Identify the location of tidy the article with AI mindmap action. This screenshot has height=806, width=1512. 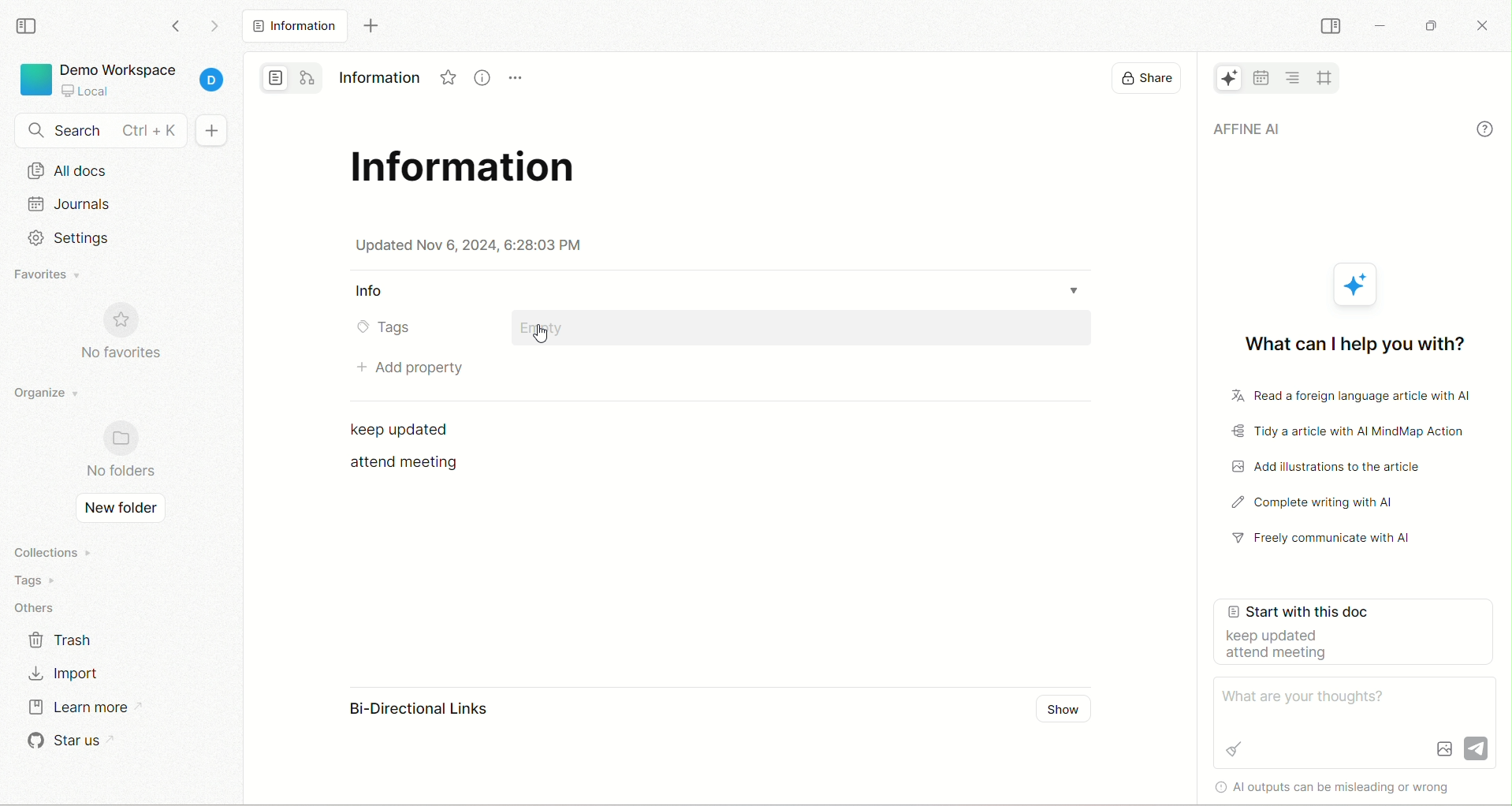
(1350, 431).